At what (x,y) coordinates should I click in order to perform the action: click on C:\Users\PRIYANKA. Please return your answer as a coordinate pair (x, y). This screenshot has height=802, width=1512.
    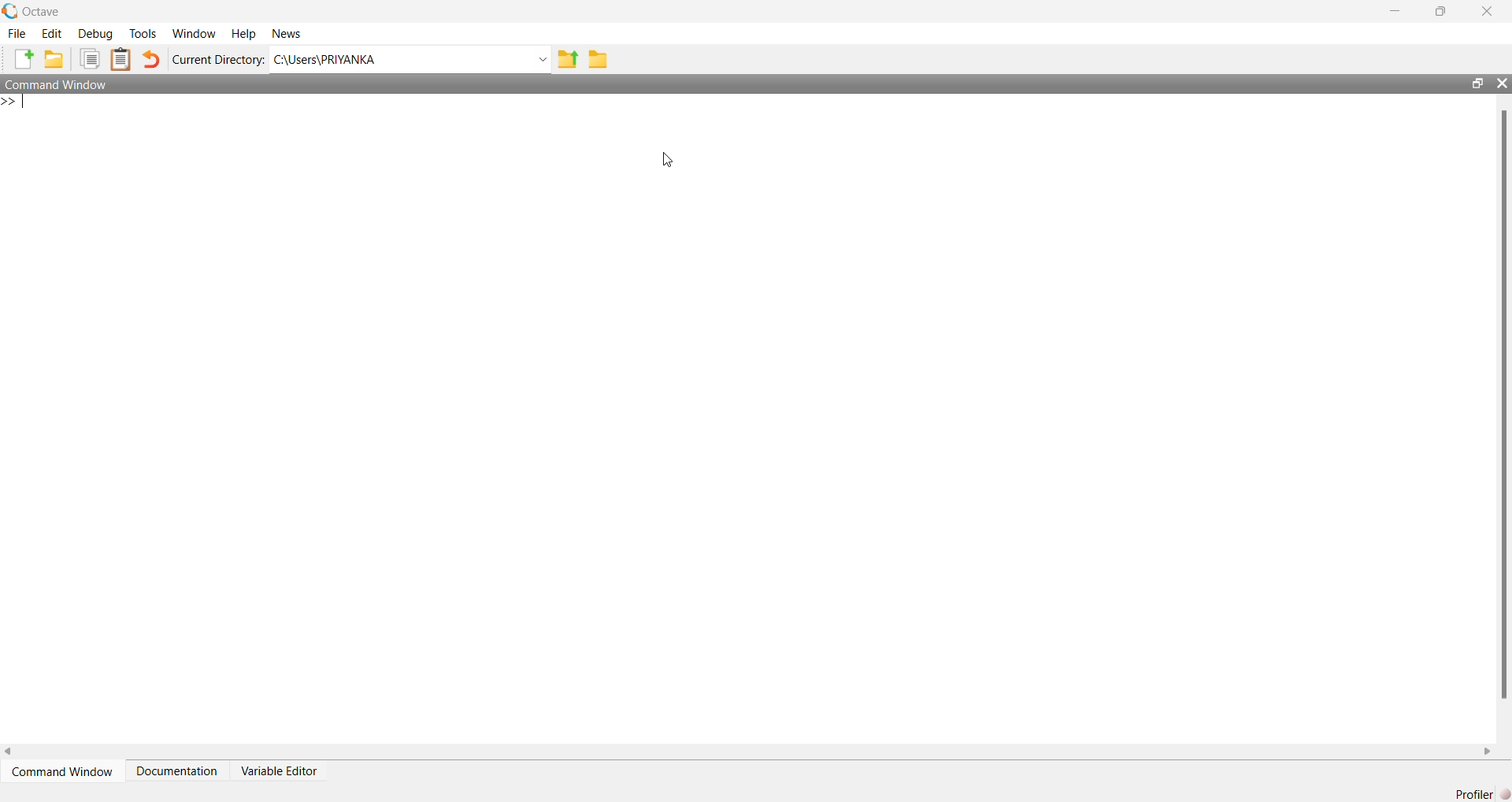
    Looking at the image, I should click on (324, 59).